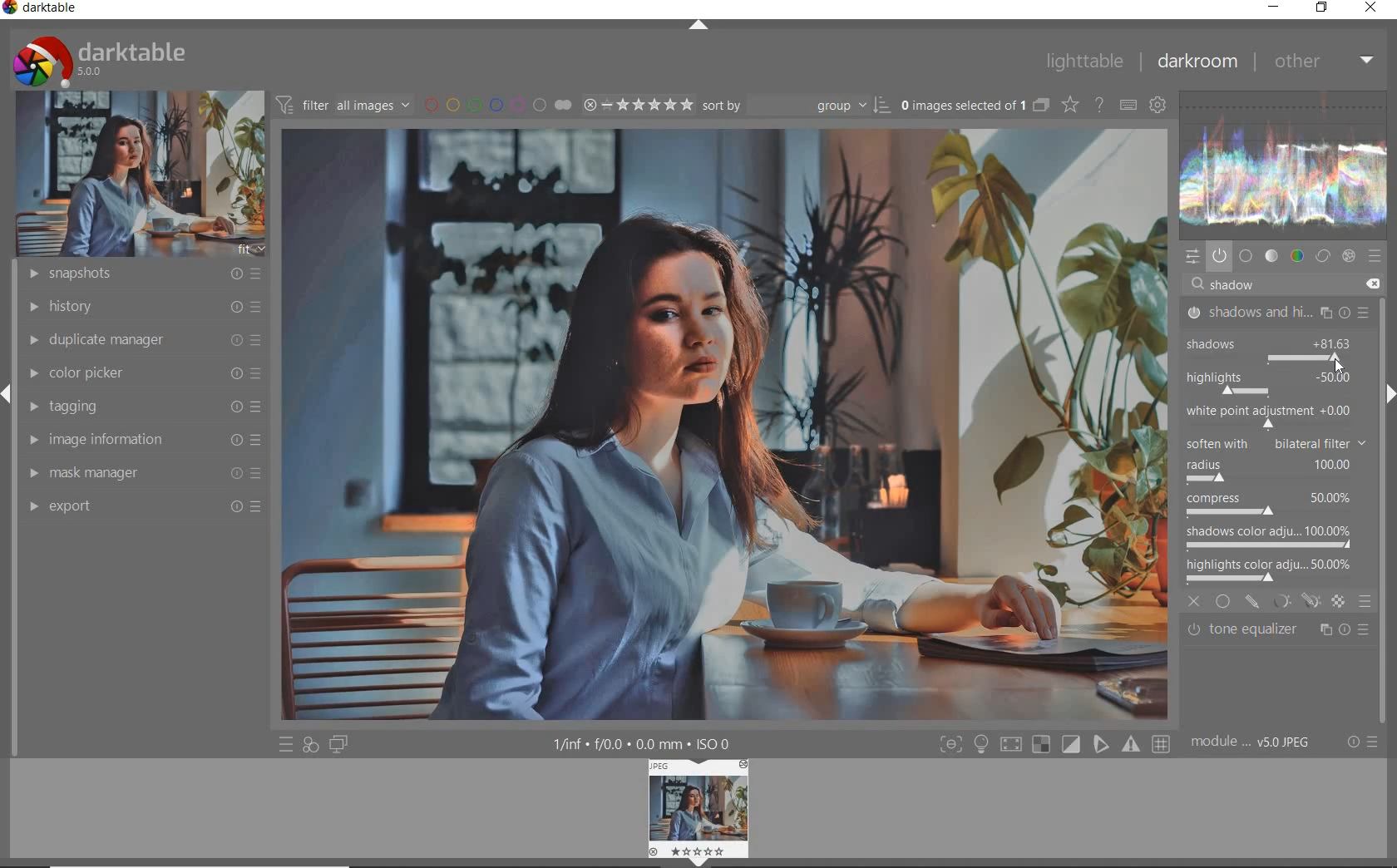 This screenshot has width=1397, height=868. Describe the element at coordinates (286, 744) in the screenshot. I see `quick access to presets` at that location.